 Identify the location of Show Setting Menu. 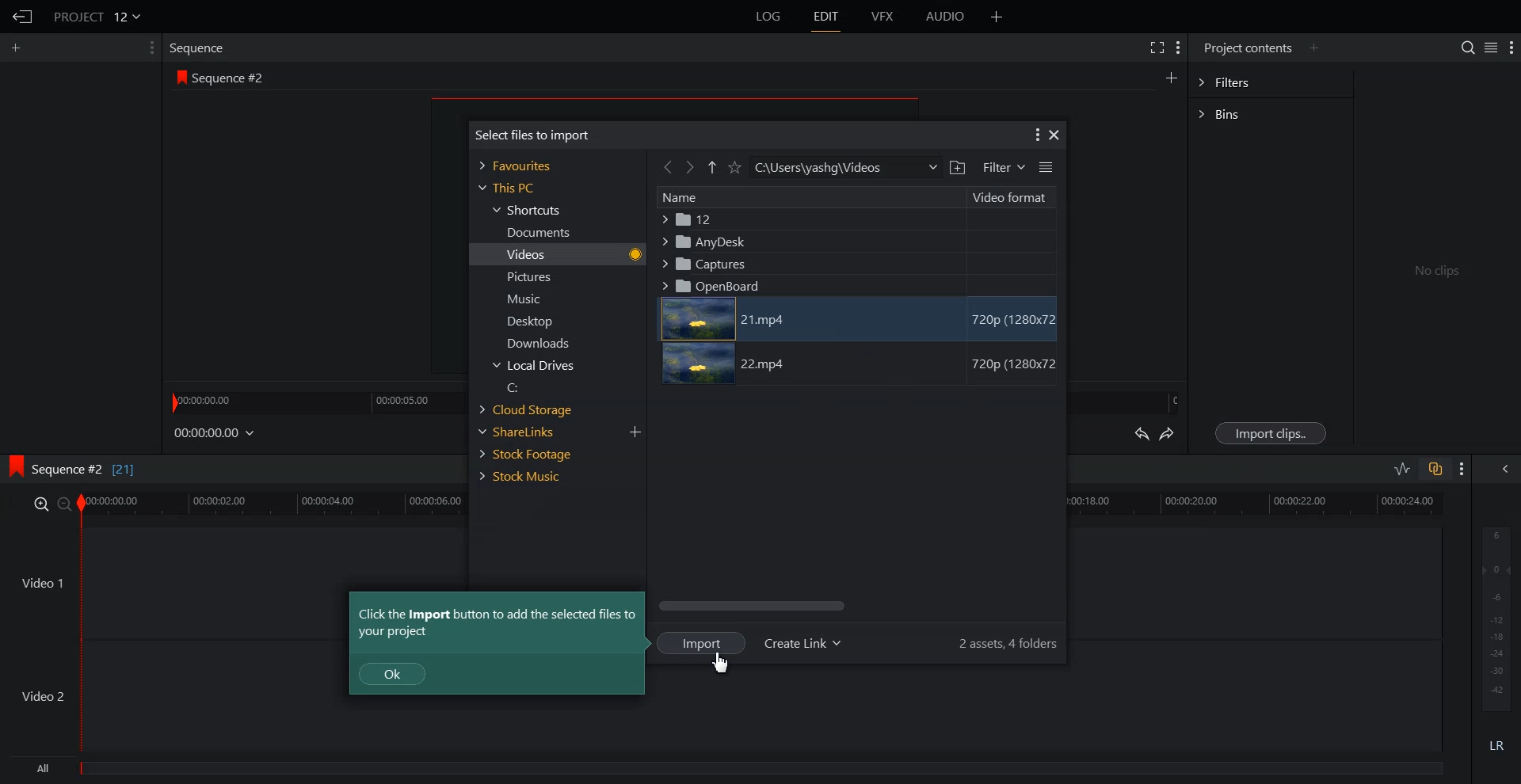
(1179, 48).